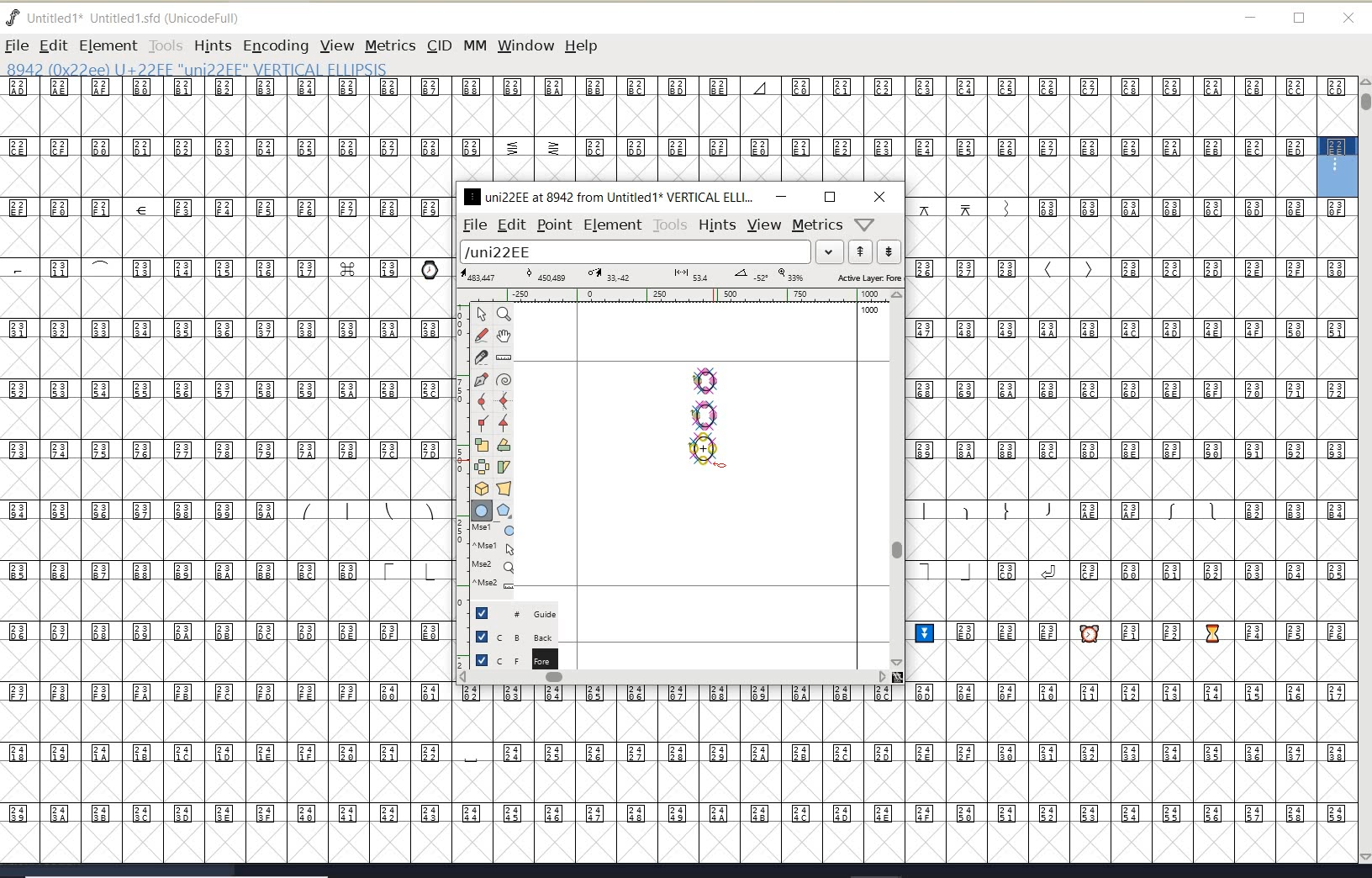 This screenshot has height=878, width=1372. Describe the element at coordinates (504, 445) in the screenshot. I see `rotate the selection` at that location.